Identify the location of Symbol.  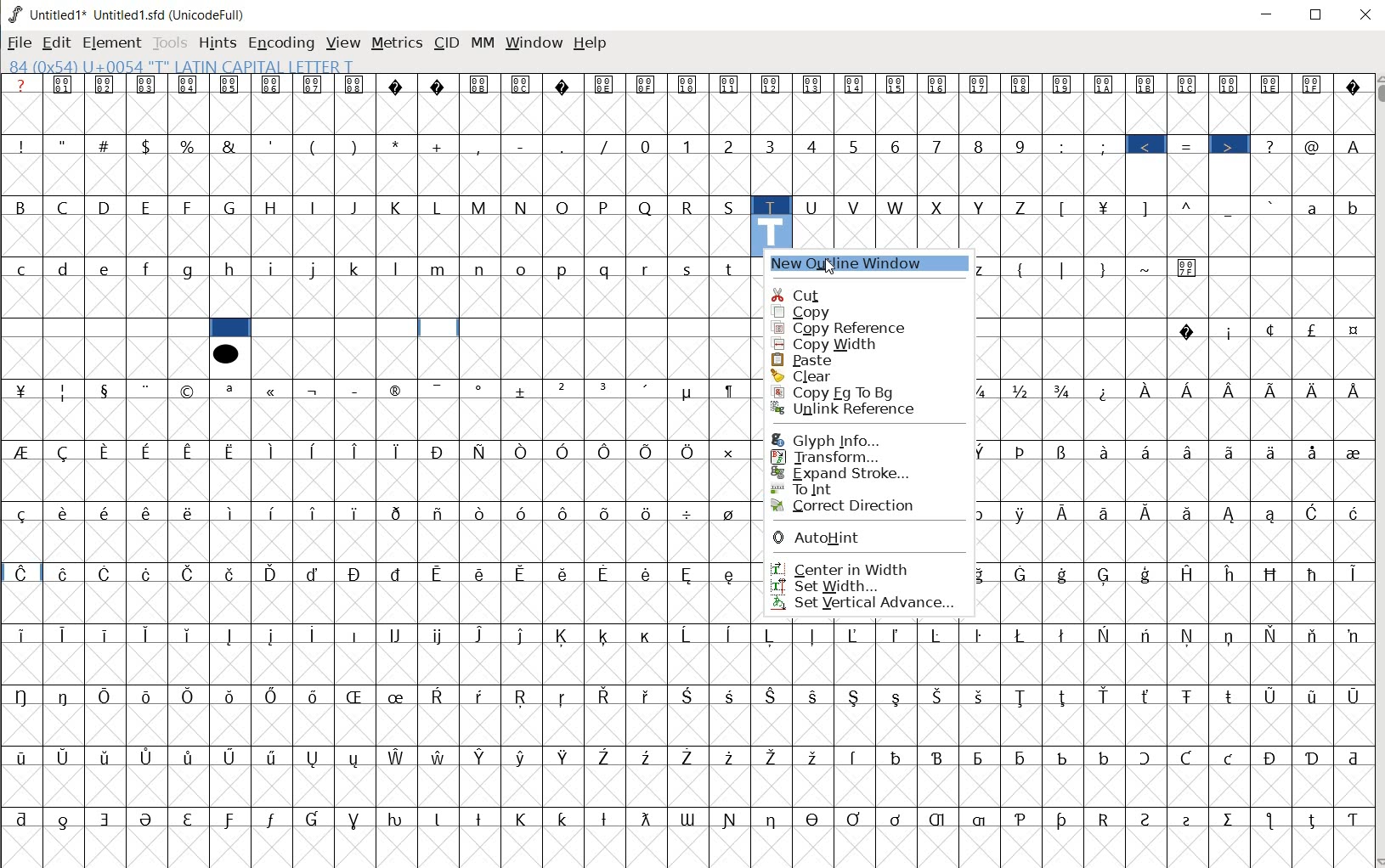
(1273, 84).